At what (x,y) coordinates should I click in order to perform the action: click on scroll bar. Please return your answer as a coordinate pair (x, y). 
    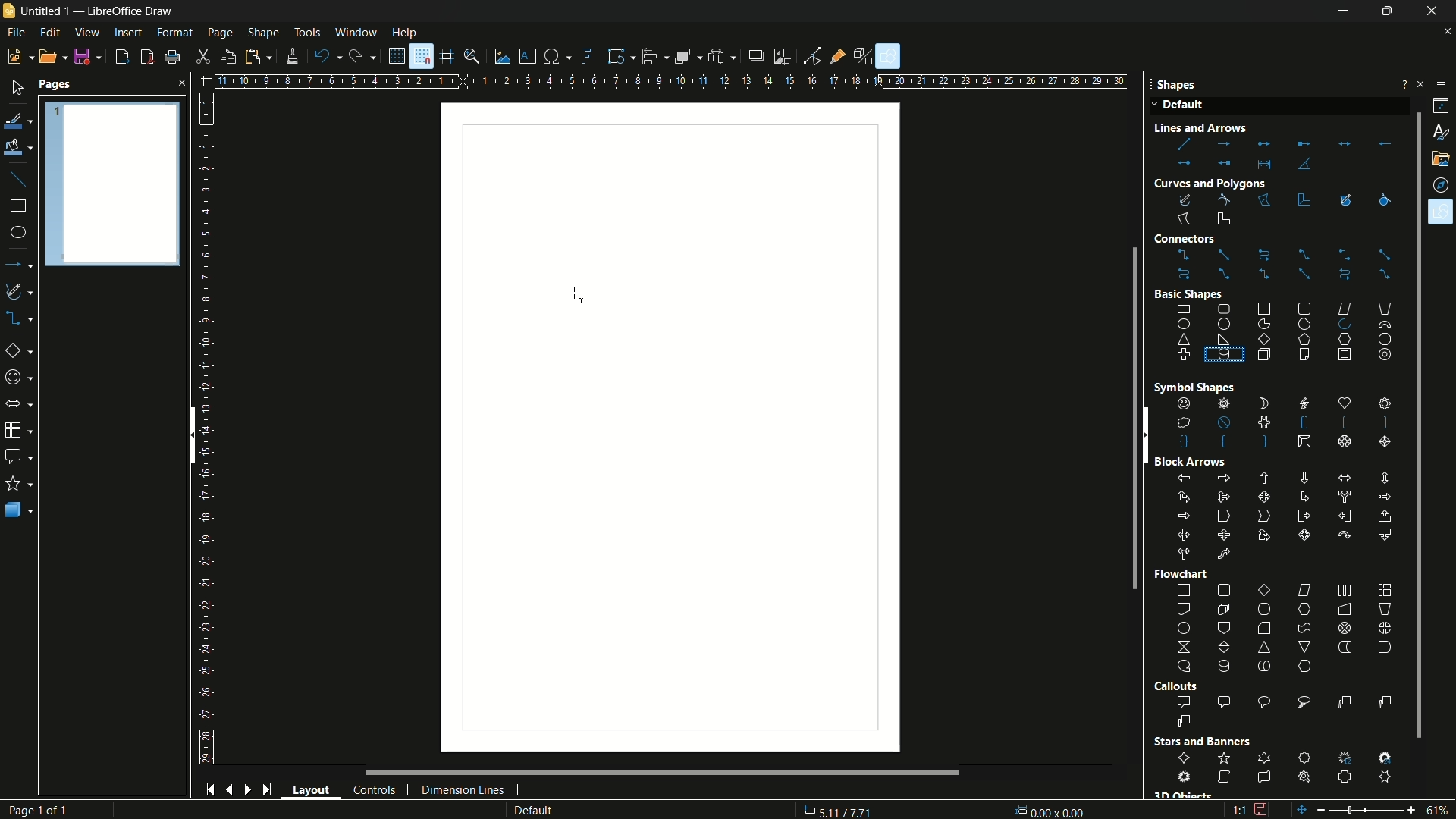
    Looking at the image, I should click on (634, 773).